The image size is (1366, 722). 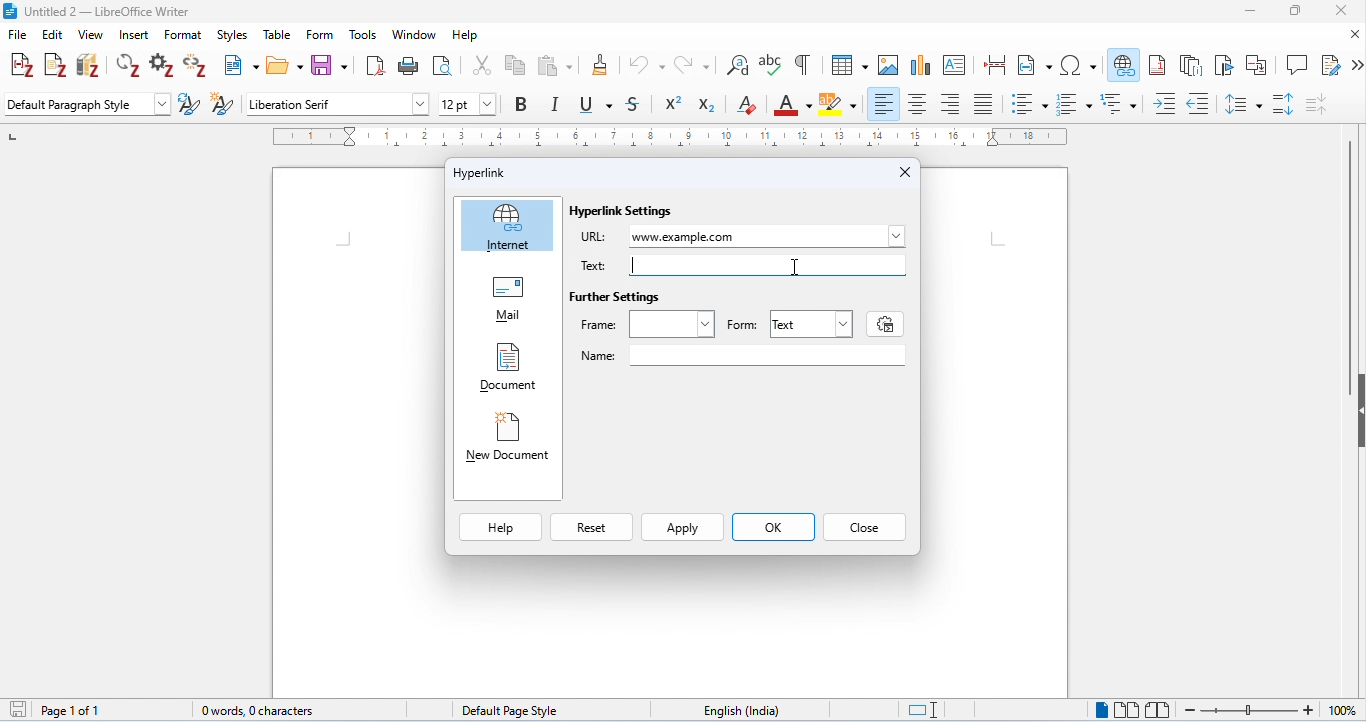 What do you see at coordinates (1338, 11) in the screenshot?
I see `close` at bounding box center [1338, 11].